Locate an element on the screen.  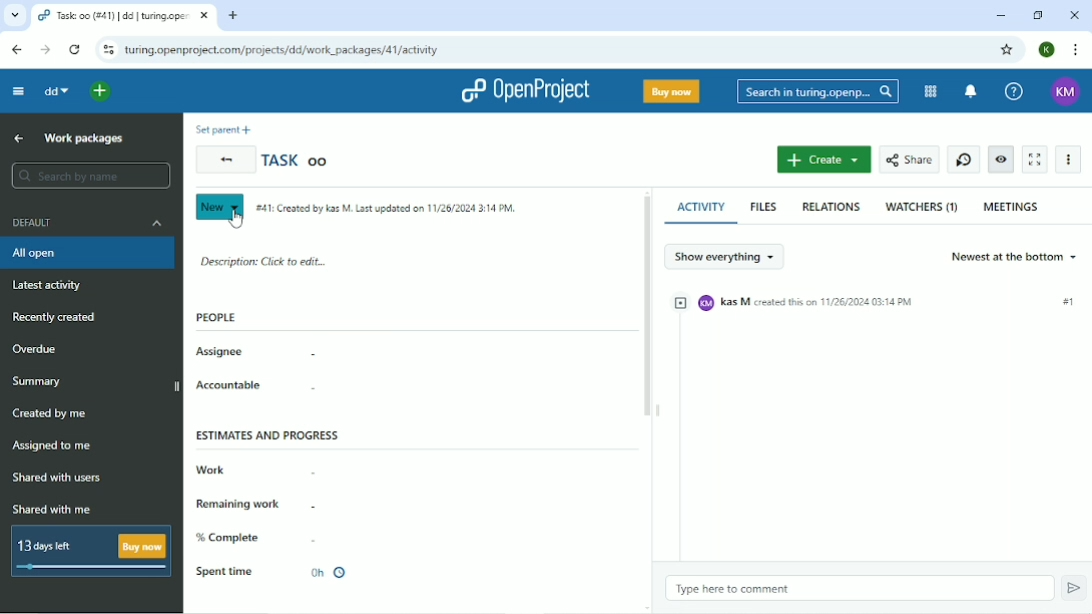
#41: Created by Kas m. Last updated on 11/26/2024 3:14 PM . is located at coordinates (390, 209).